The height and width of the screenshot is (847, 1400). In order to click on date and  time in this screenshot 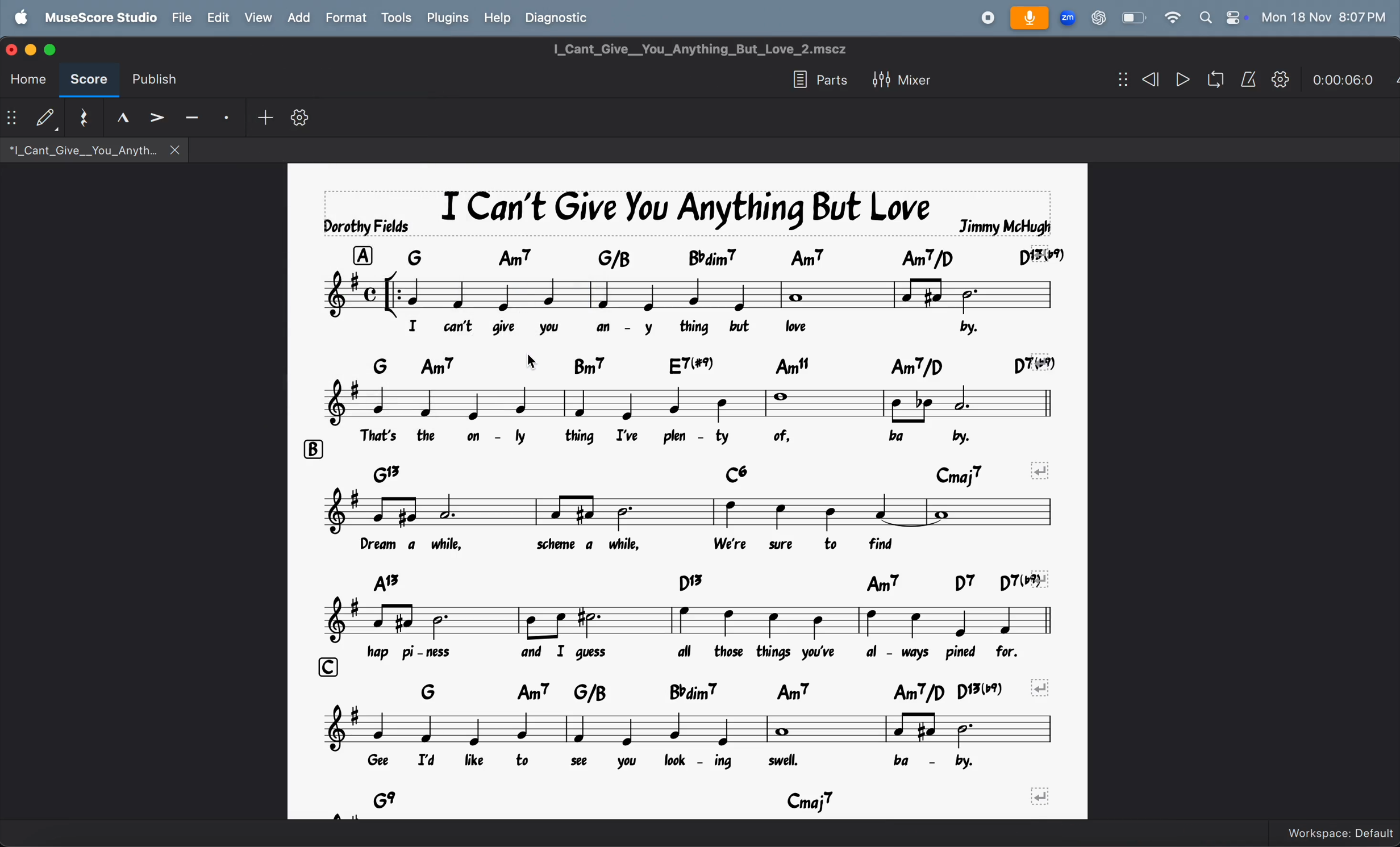, I will do `click(1326, 17)`.